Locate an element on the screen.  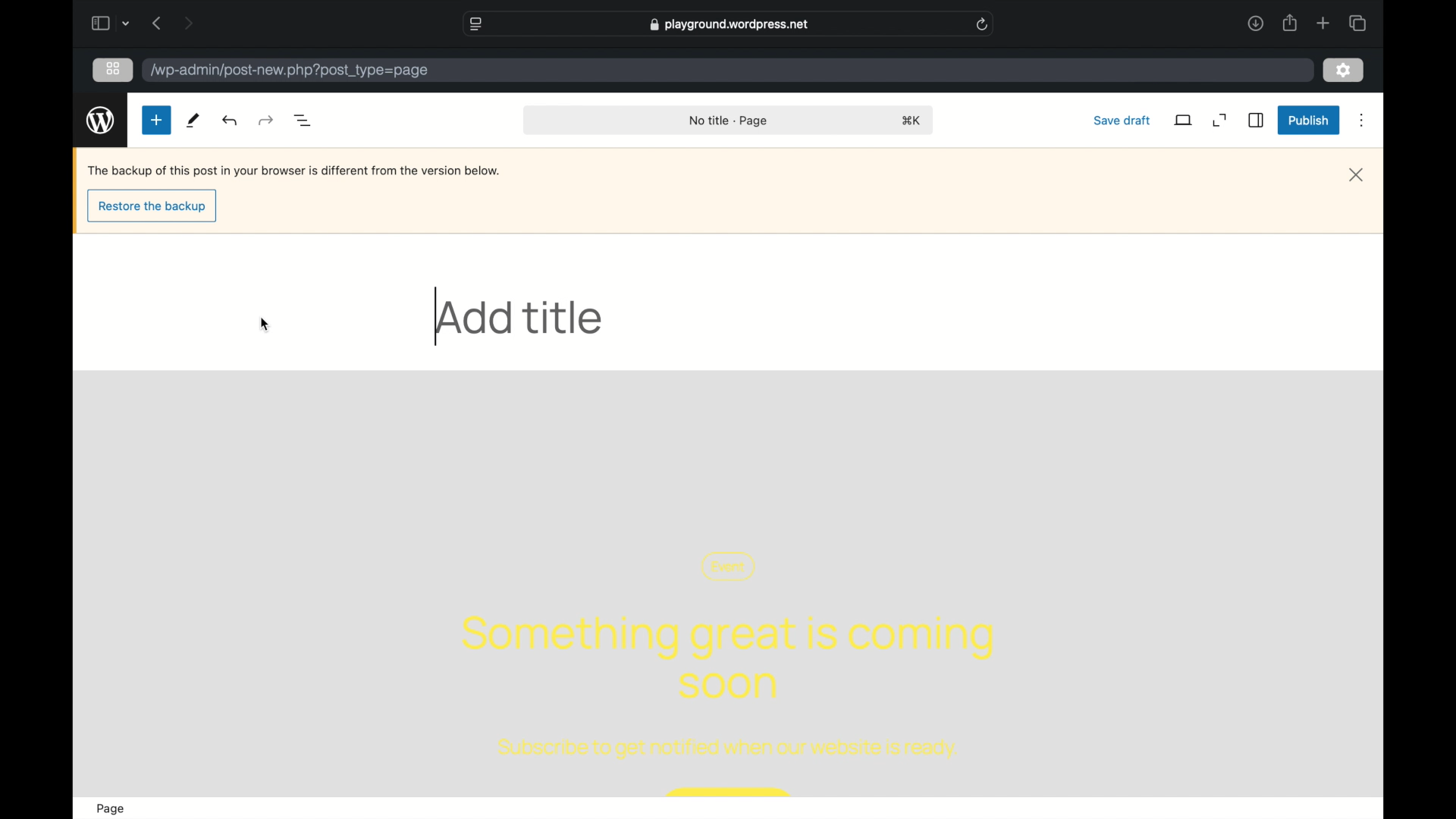
cursor is located at coordinates (265, 325).